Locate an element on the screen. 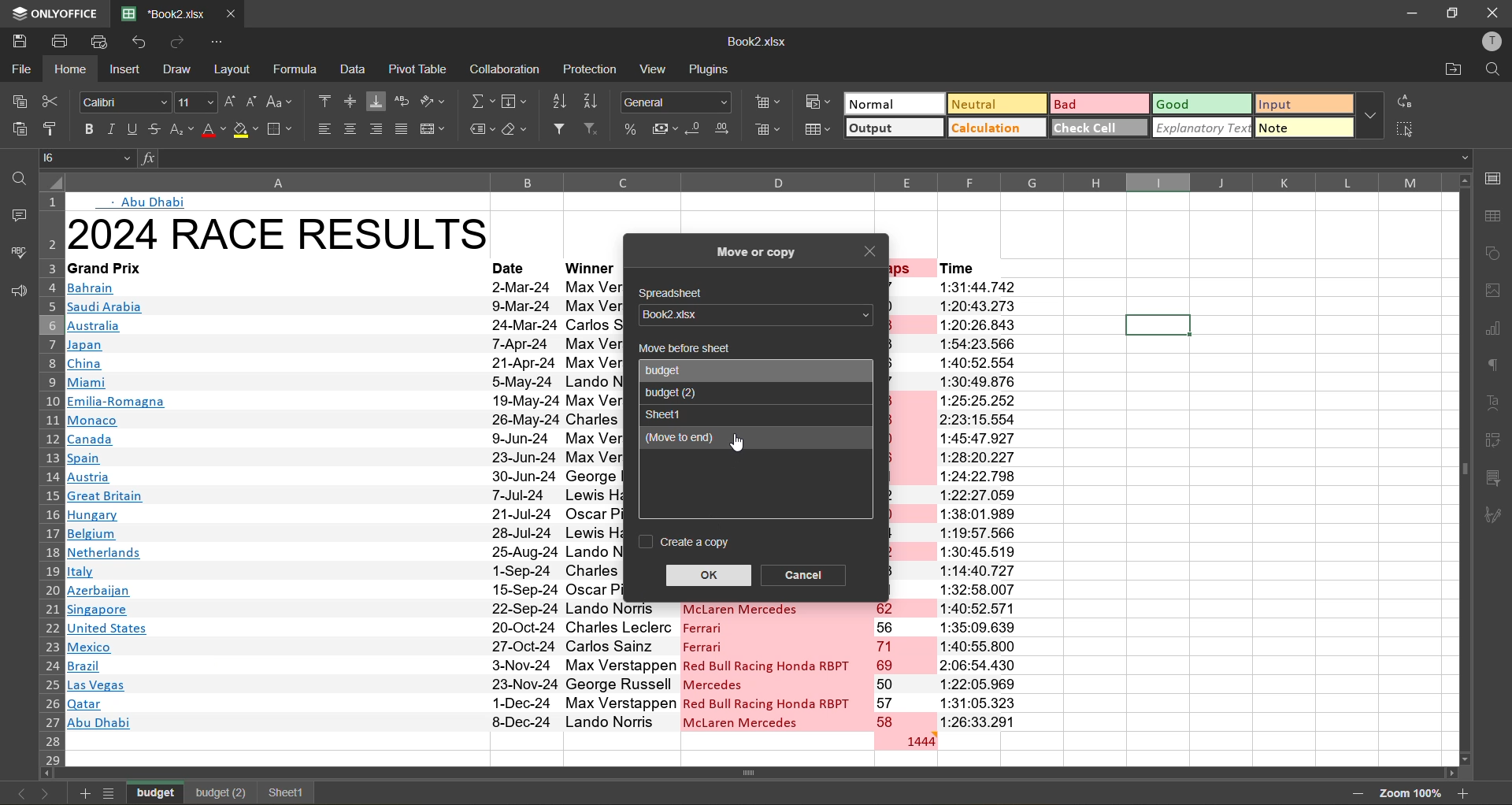  clear is located at coordinates (521, 131).